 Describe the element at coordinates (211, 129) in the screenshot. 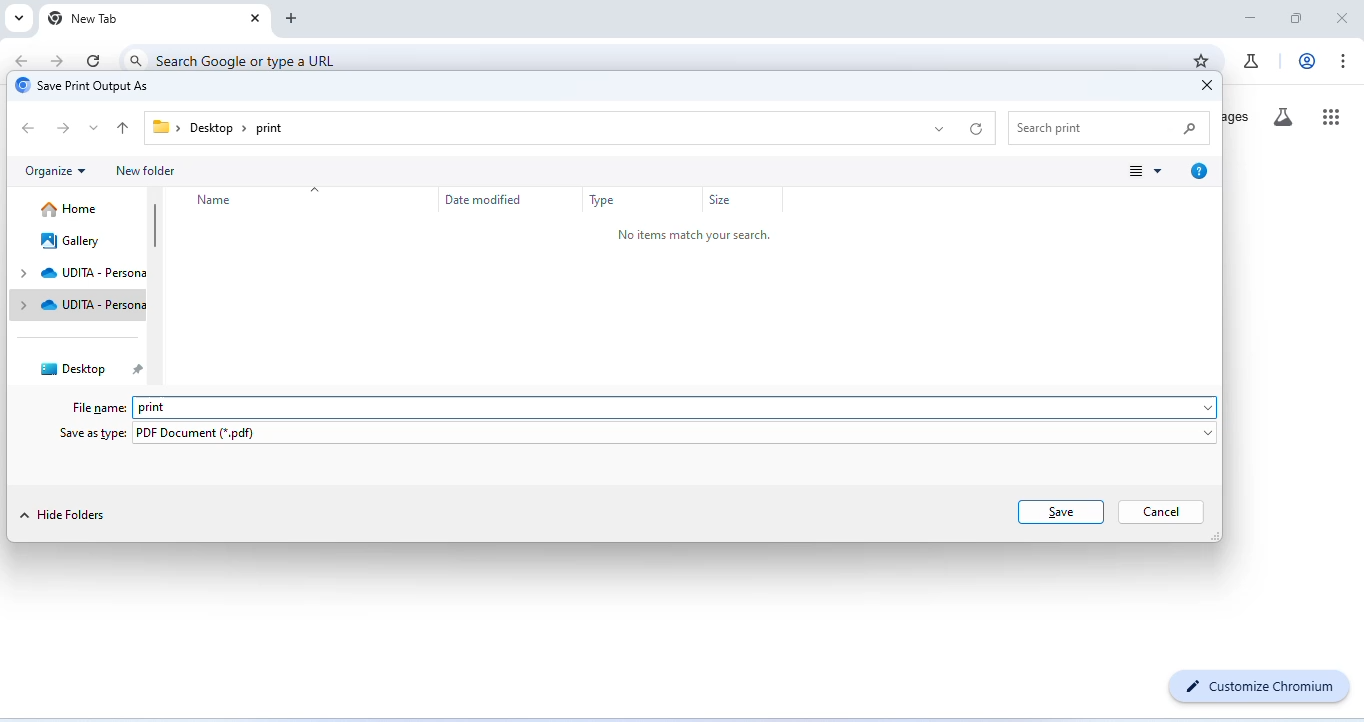

I see `Desktop` at that location.